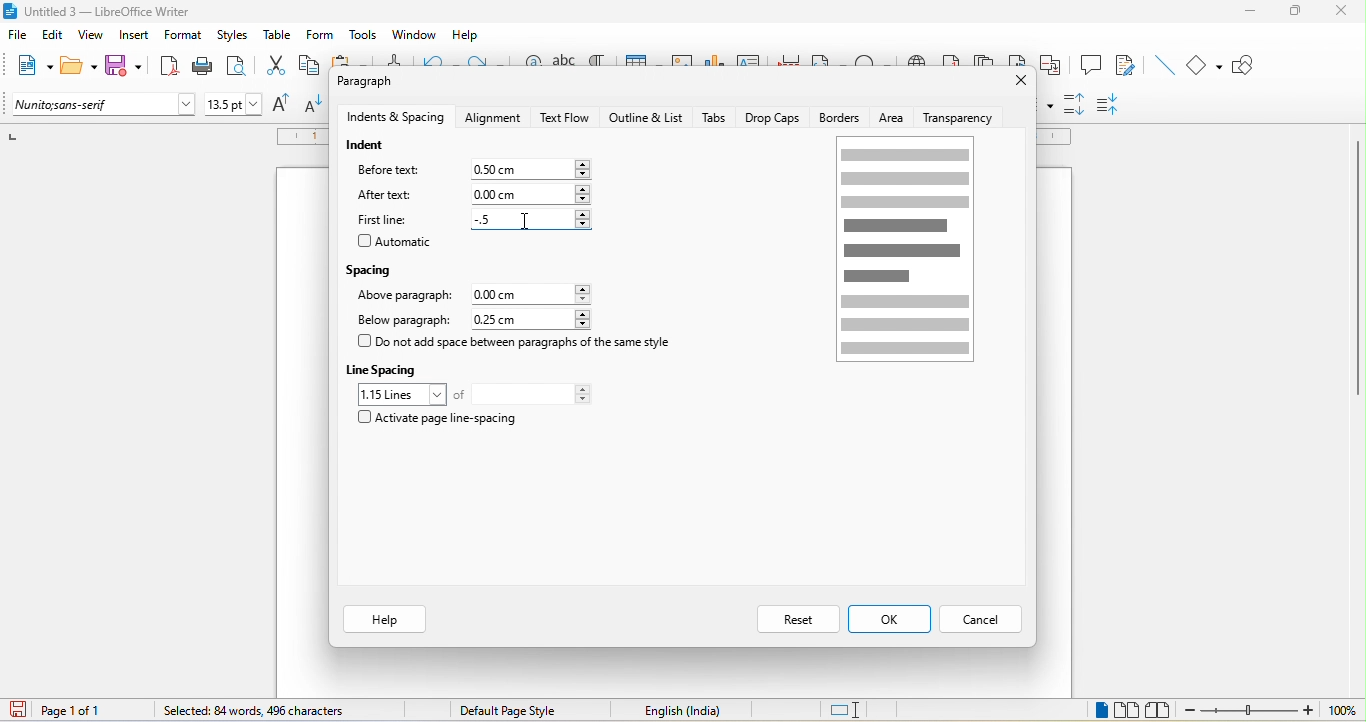  What do you see at coordinates (374, 85) in the screenshot?
I see `paragraph` at bounding box center [374, 85].